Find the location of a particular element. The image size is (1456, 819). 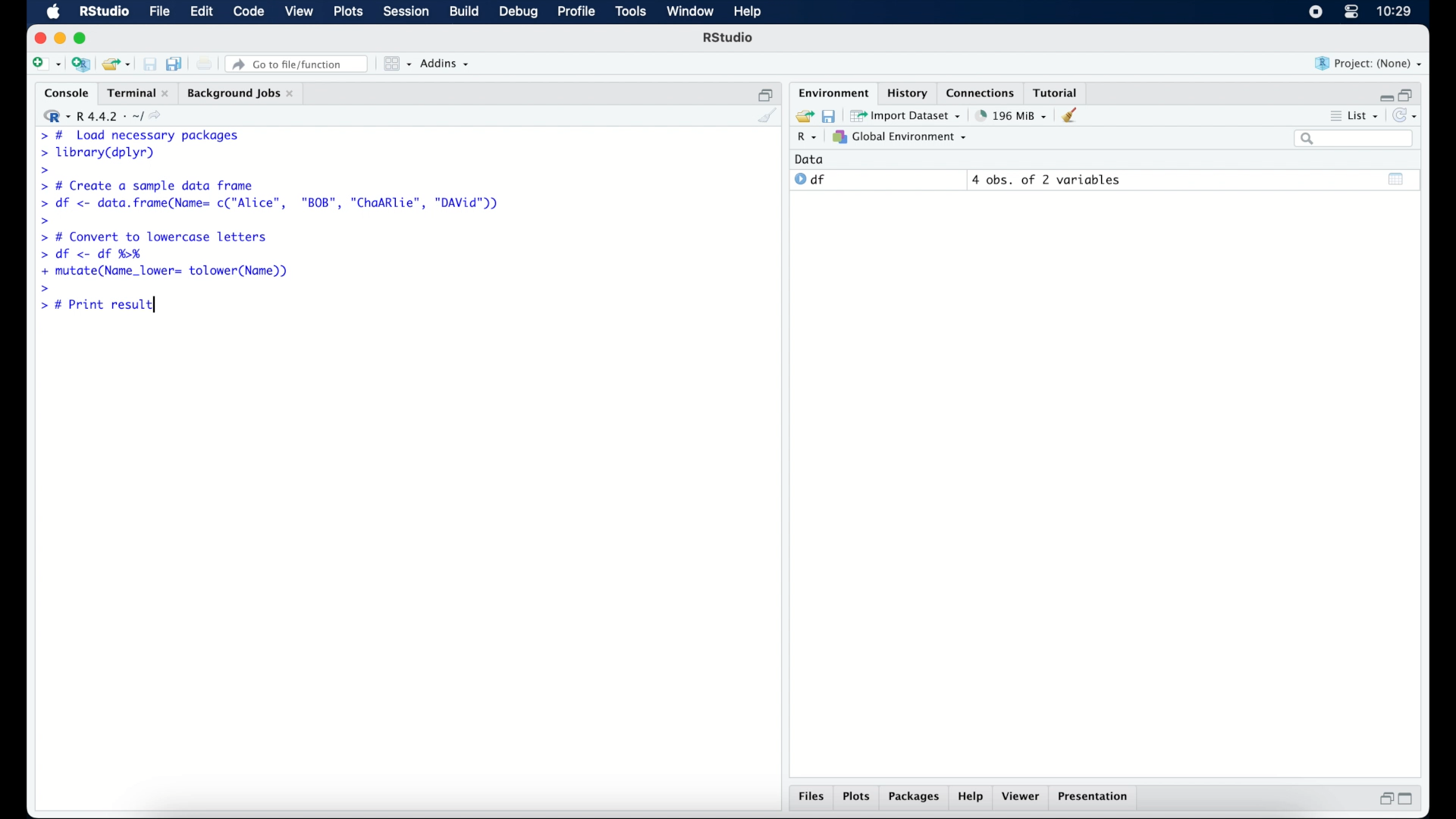

close is located at coordinates (40, 38).